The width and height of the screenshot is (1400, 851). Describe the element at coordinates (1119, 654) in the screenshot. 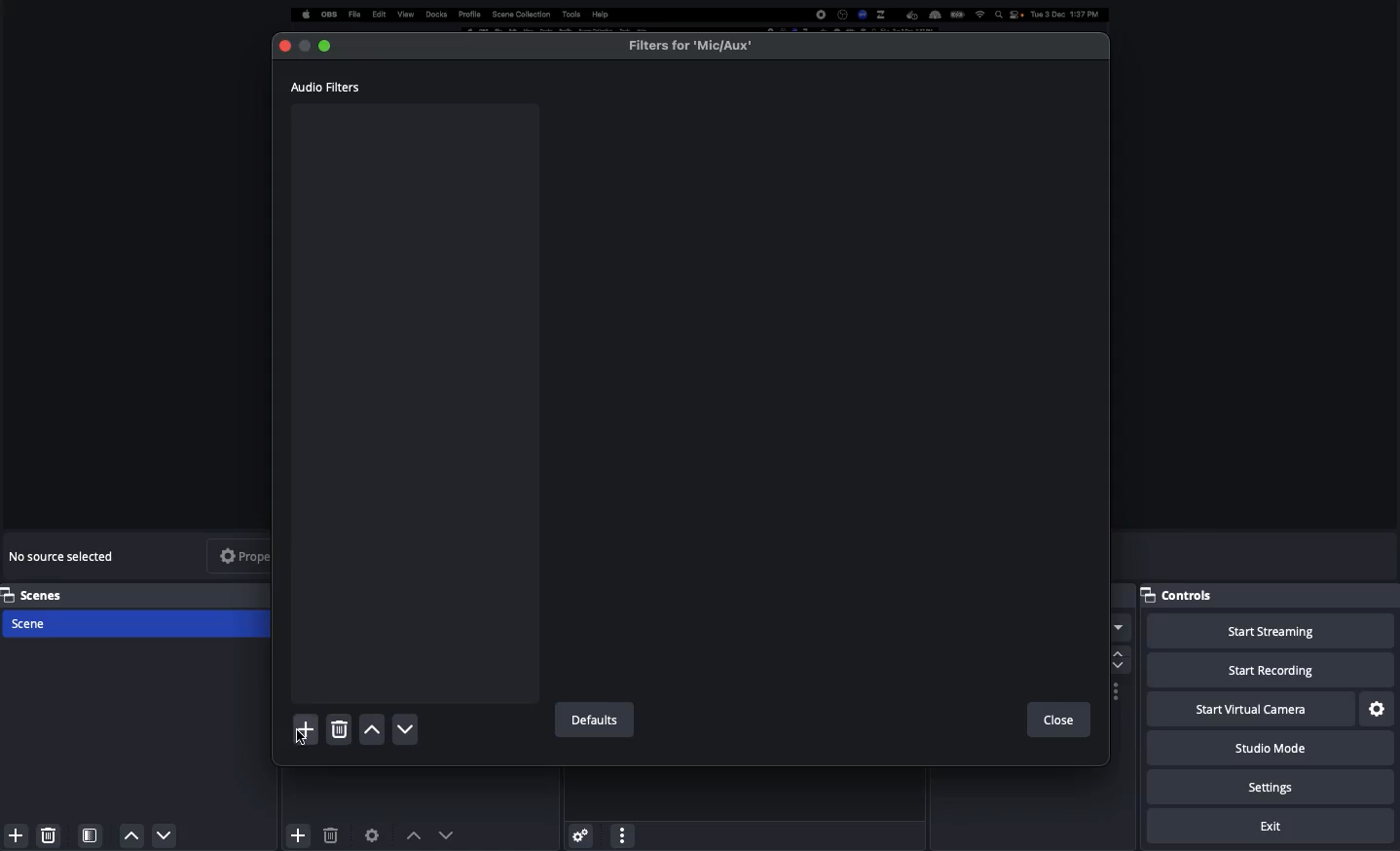

I see `scroll` at that location.